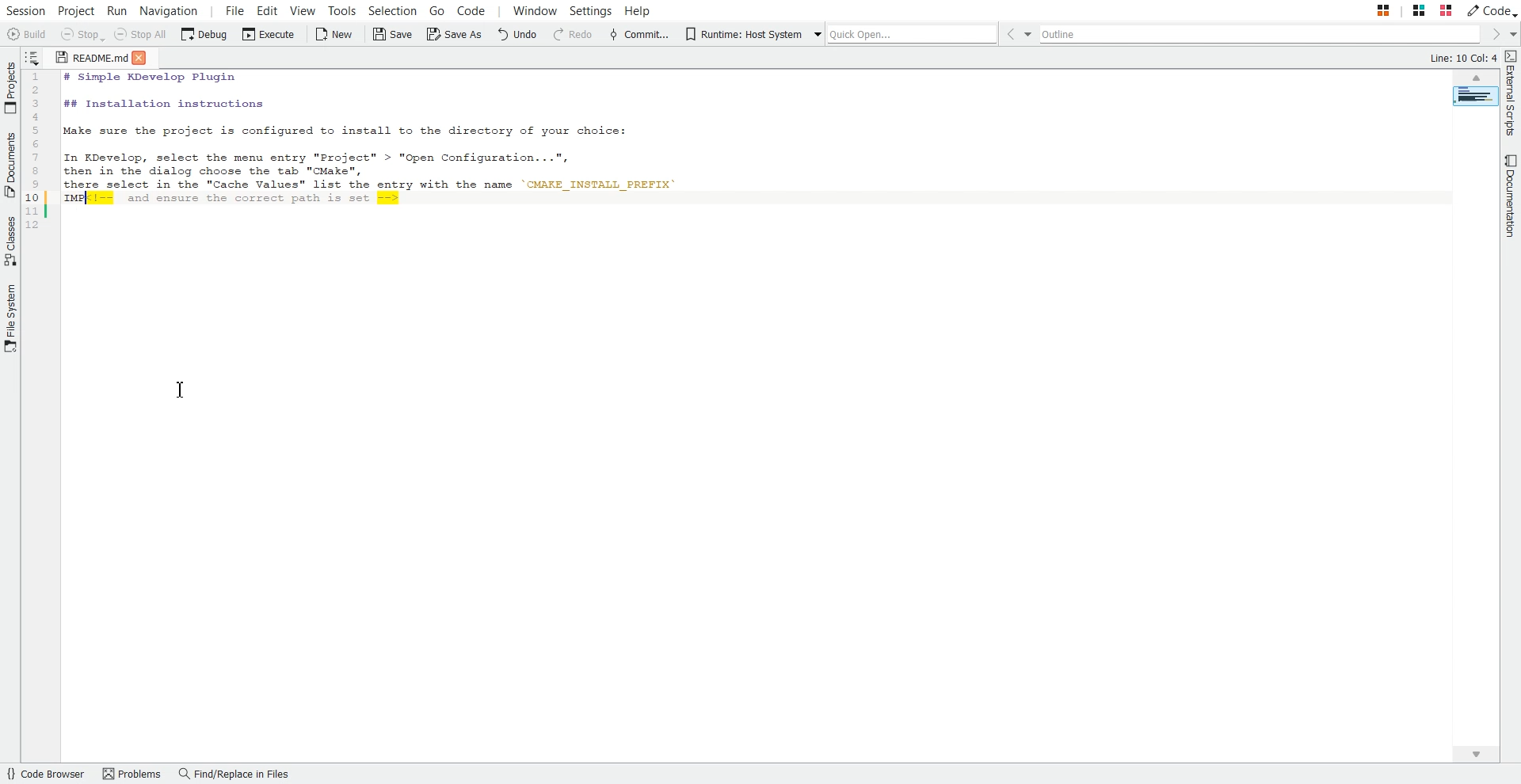 This screenshot has height=784, width=1521. What do you see at coordinates (436, 10) in the screenshot?
I see `Go` at bounding box center [436, 10].